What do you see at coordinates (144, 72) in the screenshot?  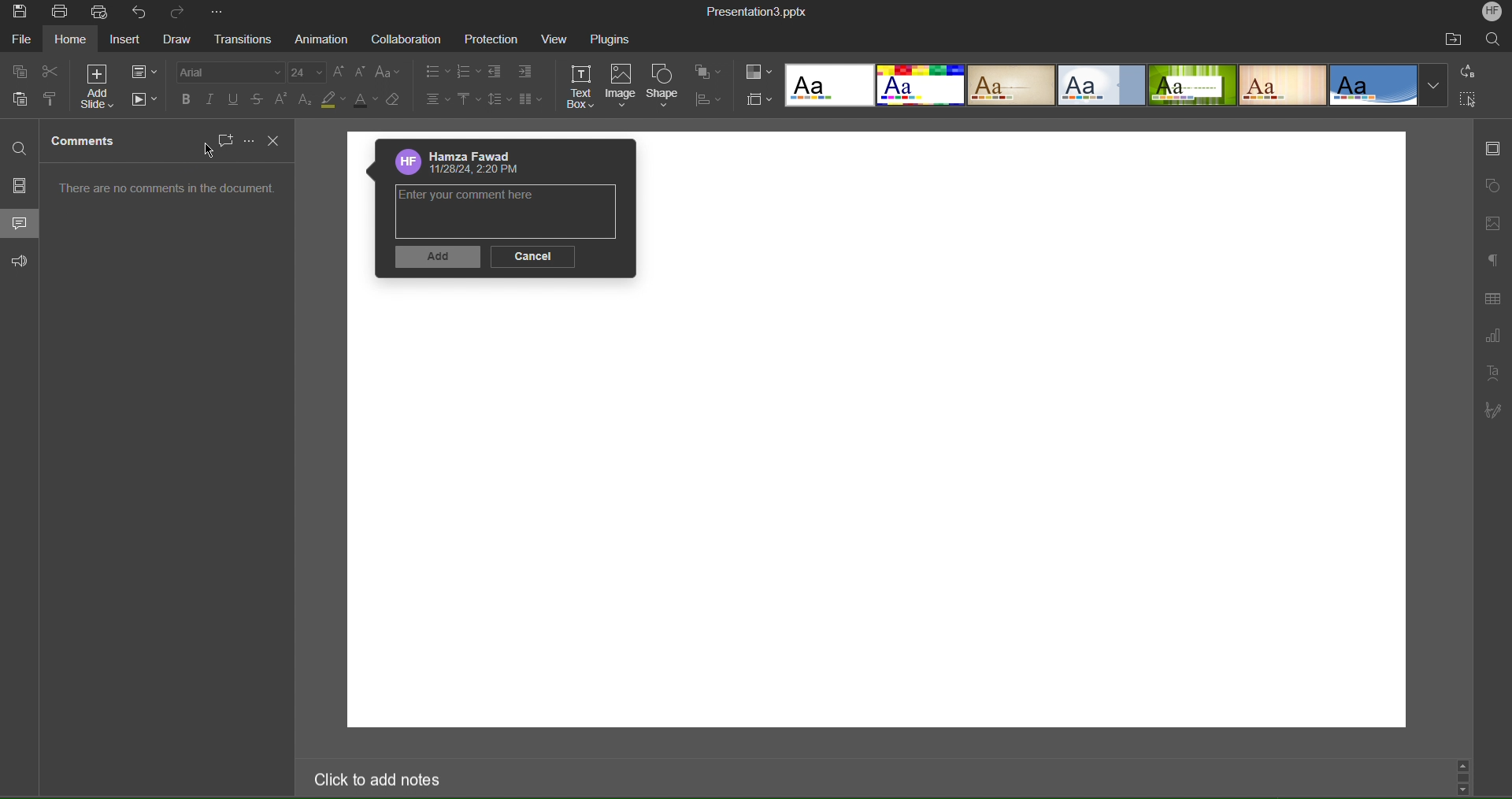 I see `Slide Settings` at bounding box center [144, 72].